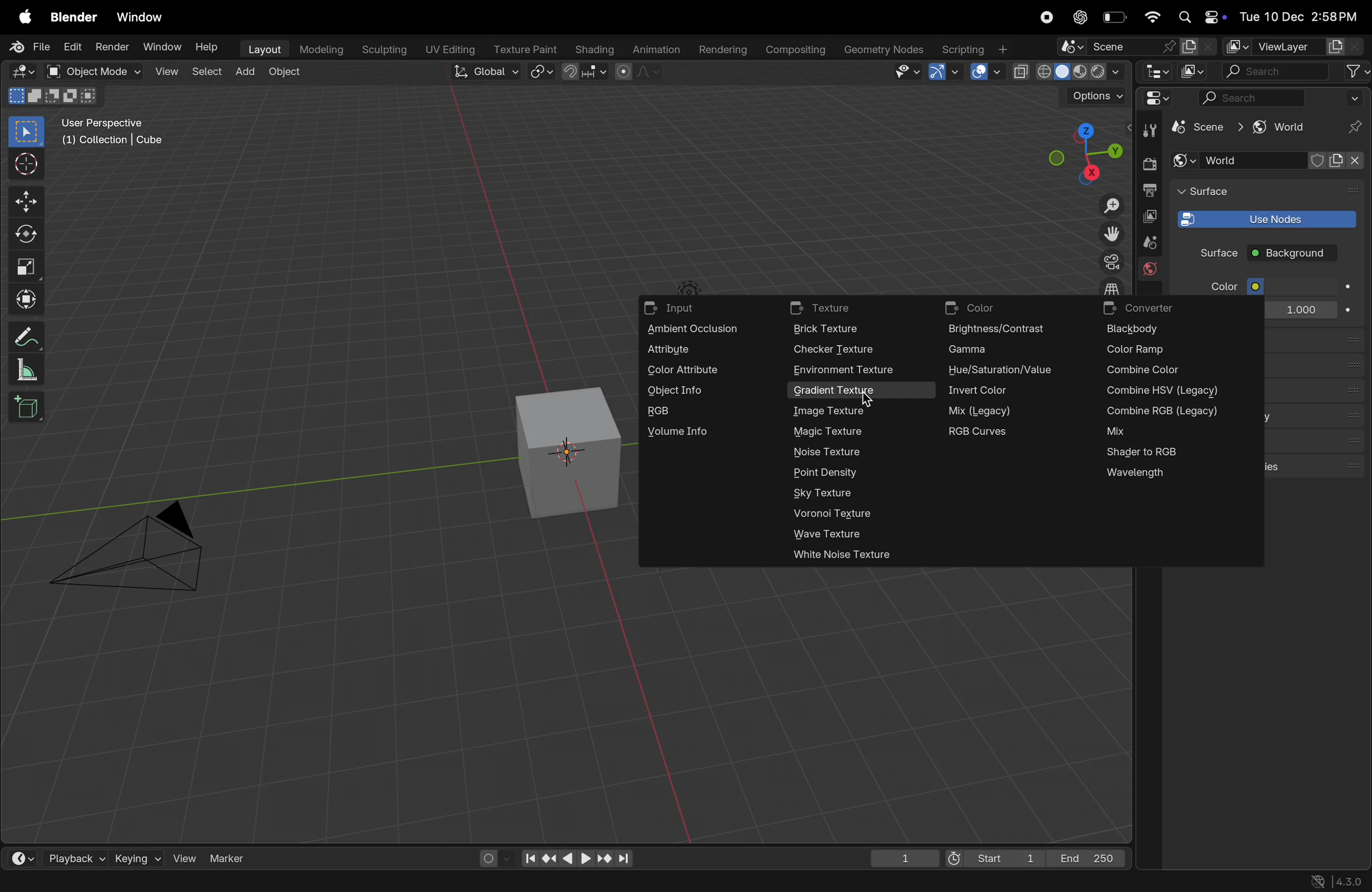 This screenshot has height=892, width=1372. I want to click on auto keying, so click(491, 857).